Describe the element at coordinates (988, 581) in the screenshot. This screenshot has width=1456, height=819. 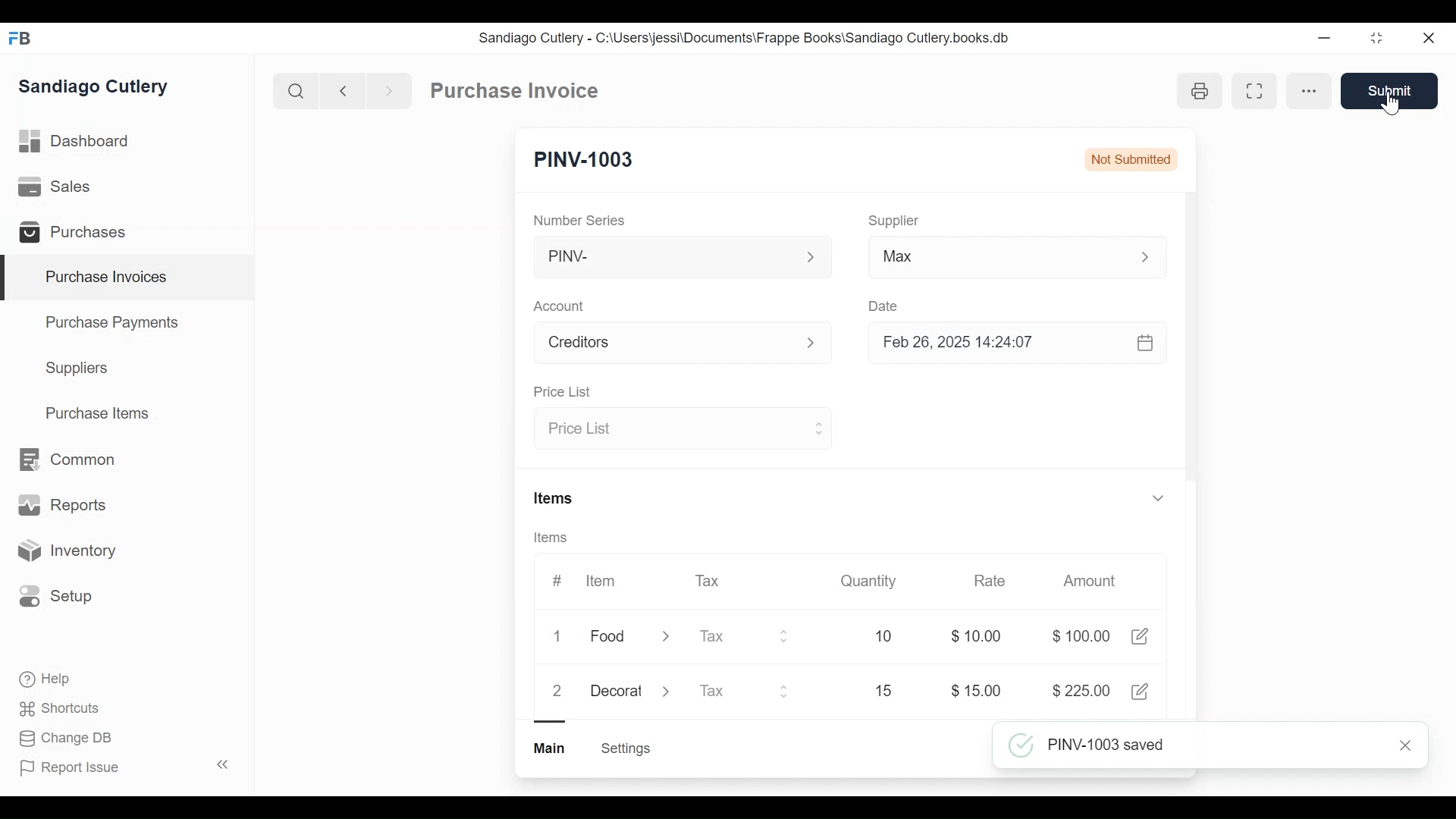
I see `Rate` at that location.